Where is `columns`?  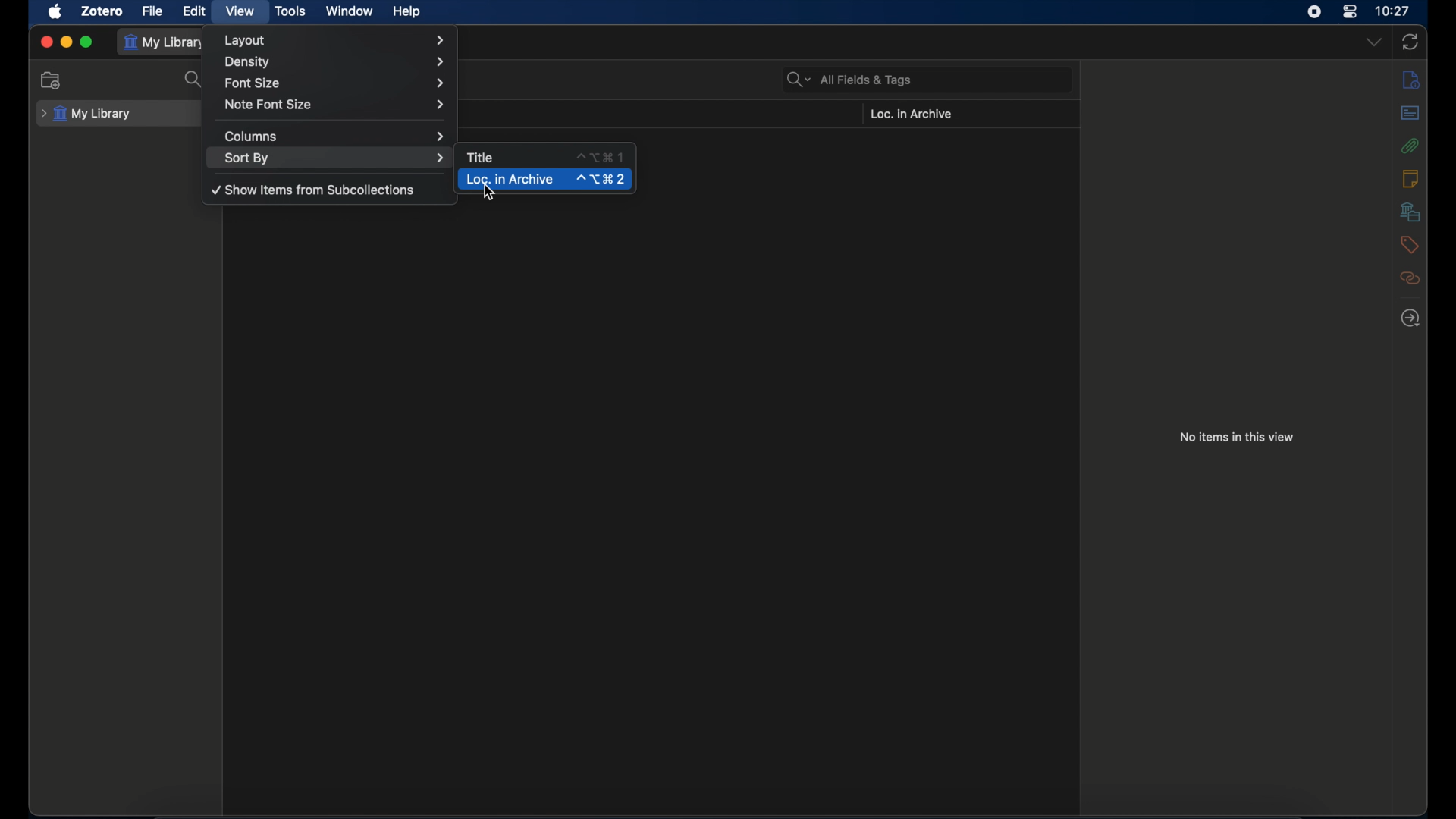 columns is located at coordinates (333, 137).